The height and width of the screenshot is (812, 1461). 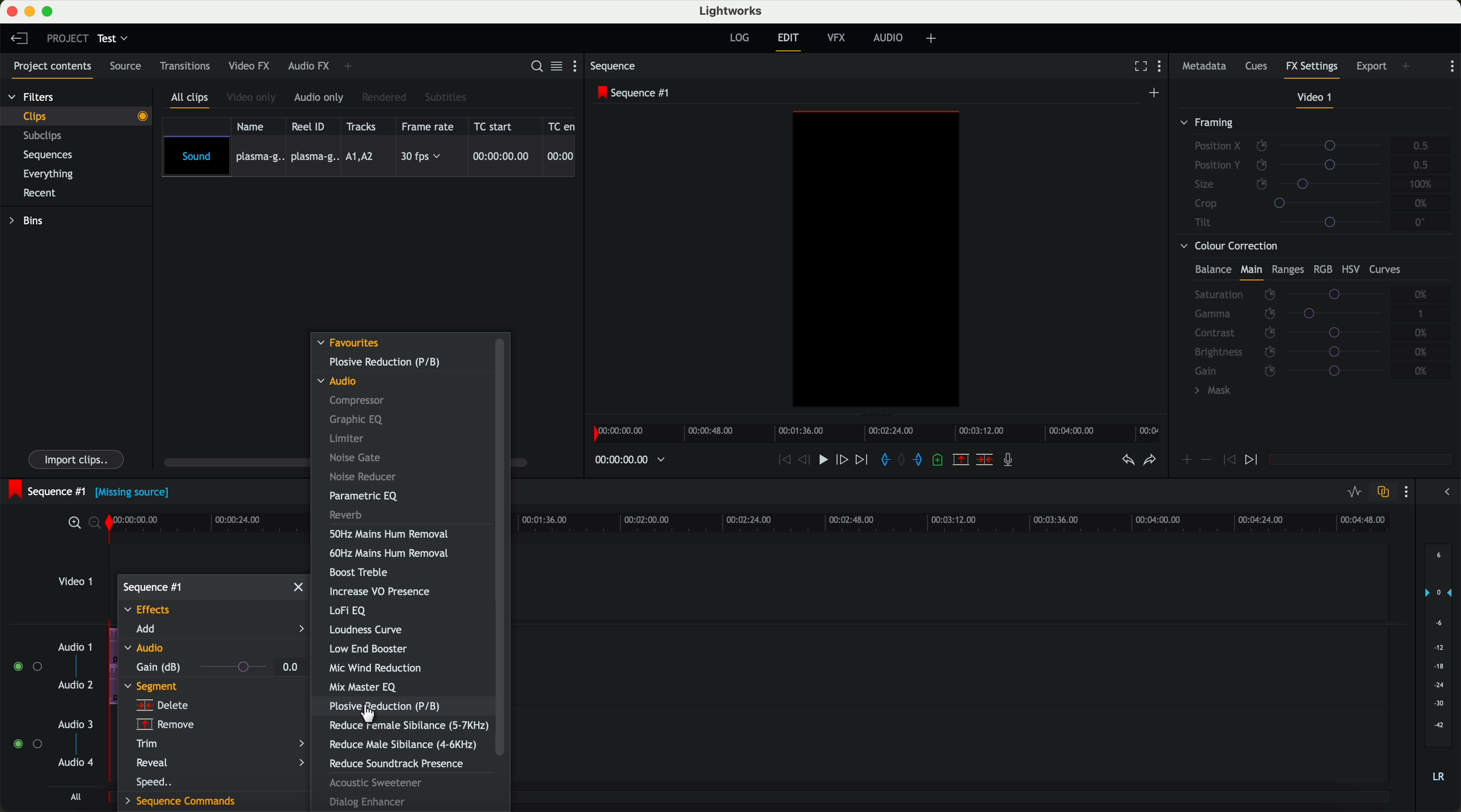 I want to click on project, so click(x=65, y=38).